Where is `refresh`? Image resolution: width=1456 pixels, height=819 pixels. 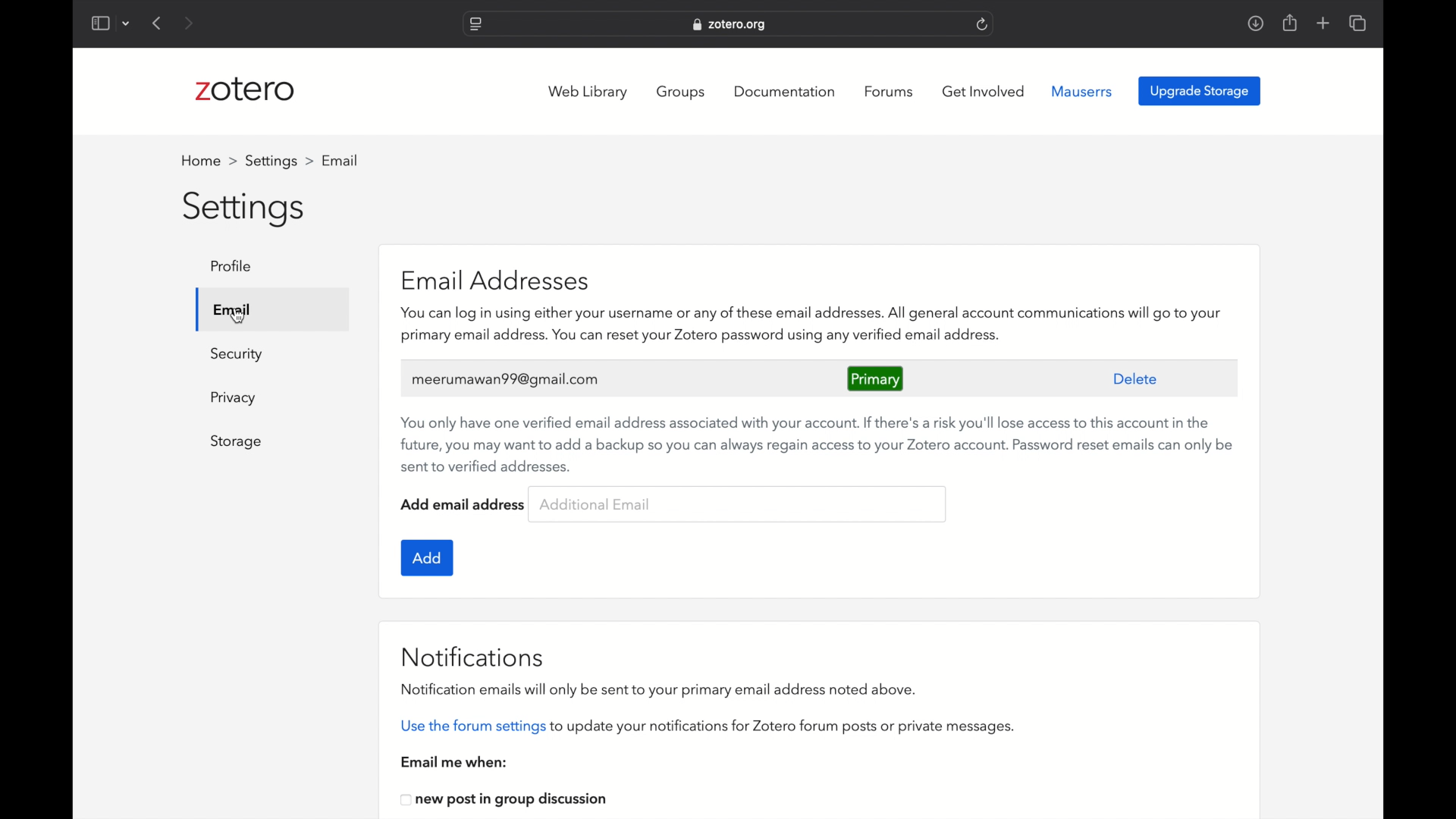 refresh is located at coordinates (982, 24).